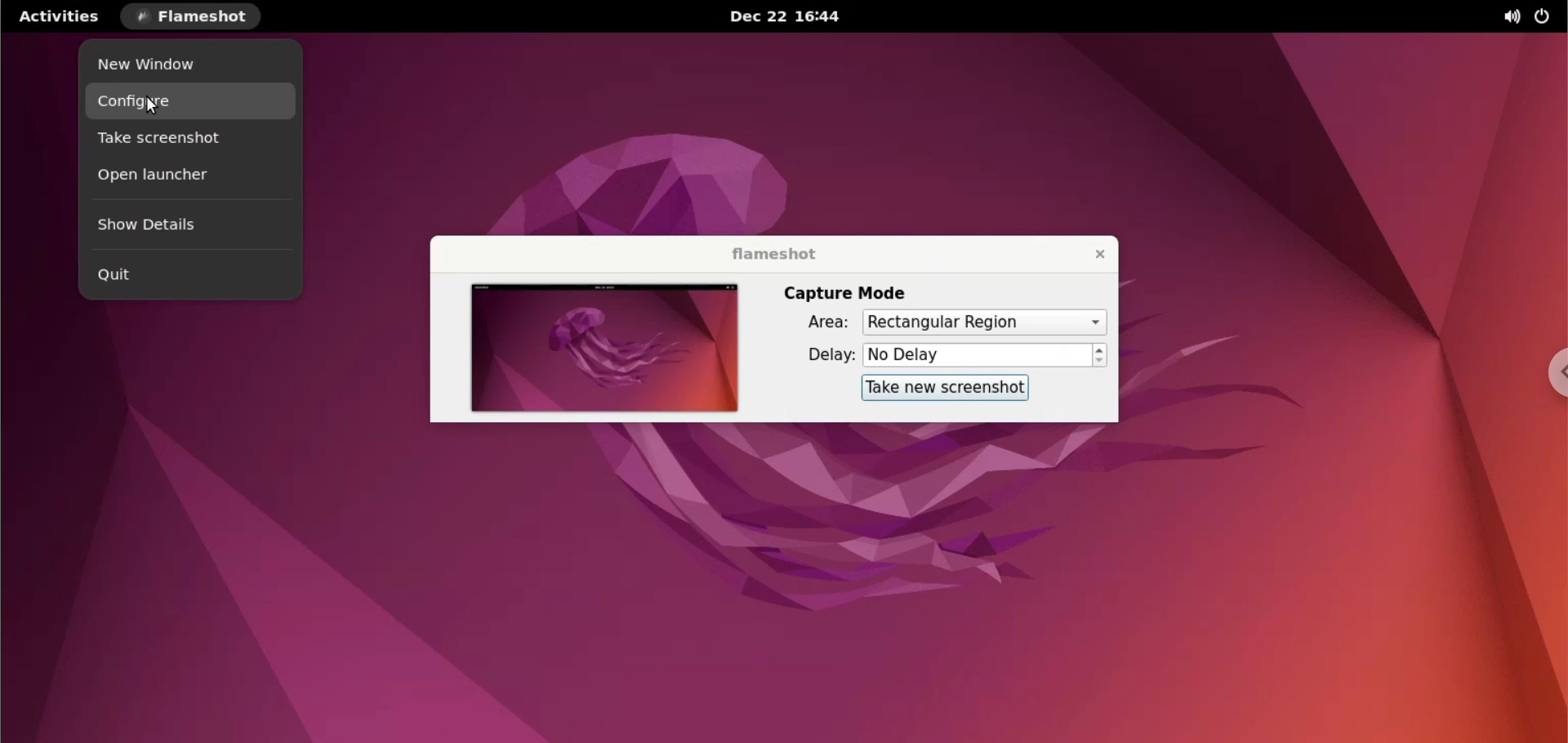 The image size is (1568, 743). Describe the element at coordinates (1545, 17) in the screenshot. I see `power options ` at that location.